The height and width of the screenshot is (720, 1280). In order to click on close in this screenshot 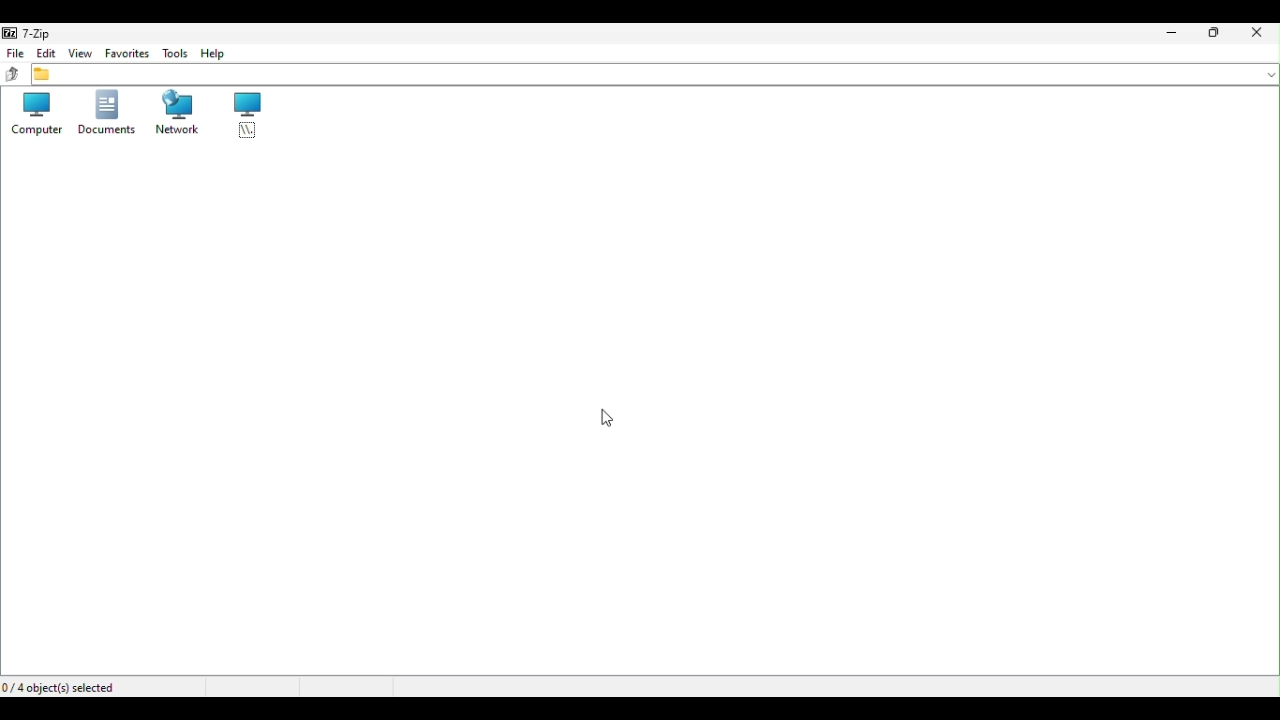, I will do `click(1260, 33)`.